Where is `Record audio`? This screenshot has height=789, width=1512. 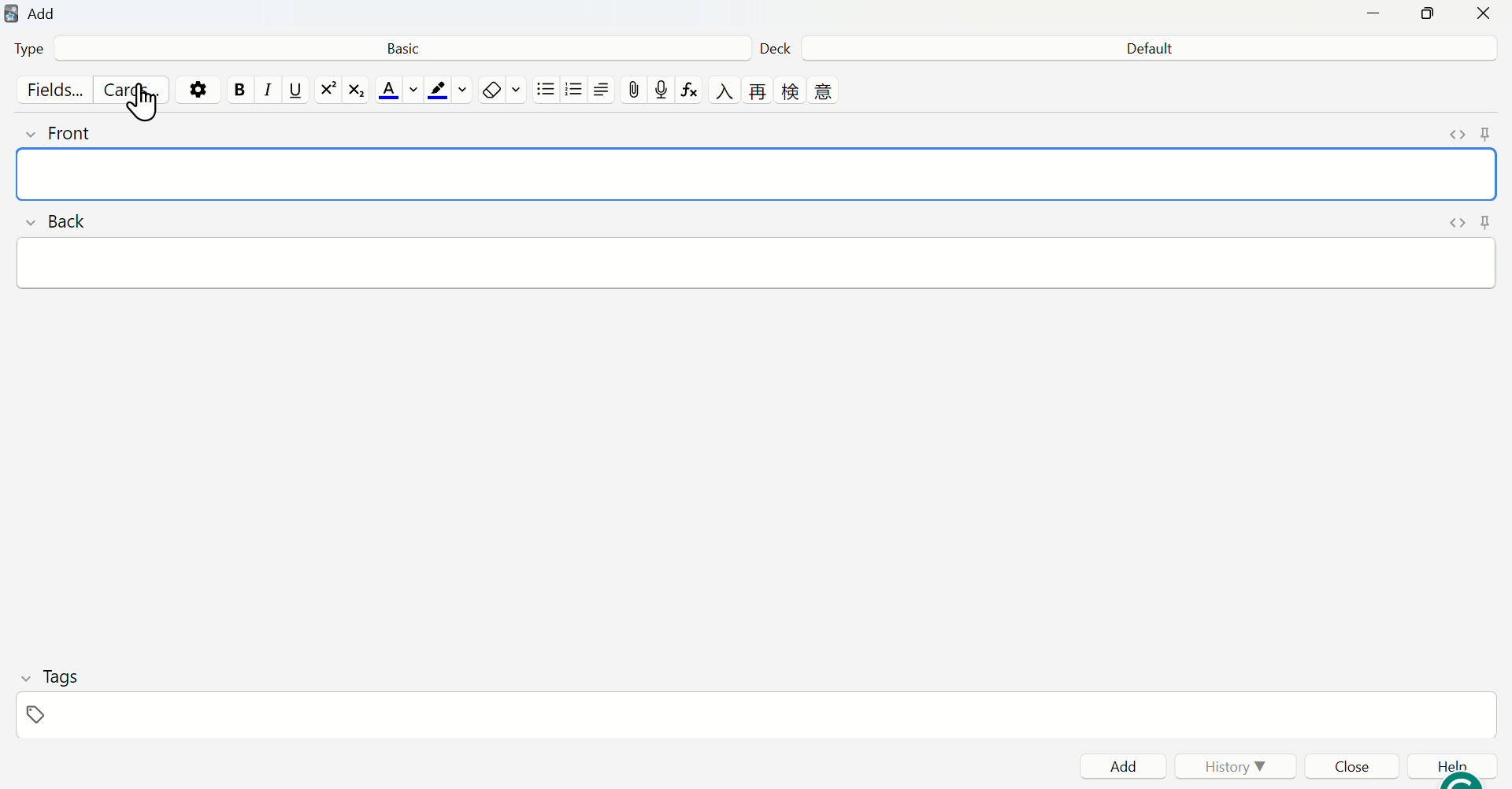
Record audio is located at coordinates (660, 91).